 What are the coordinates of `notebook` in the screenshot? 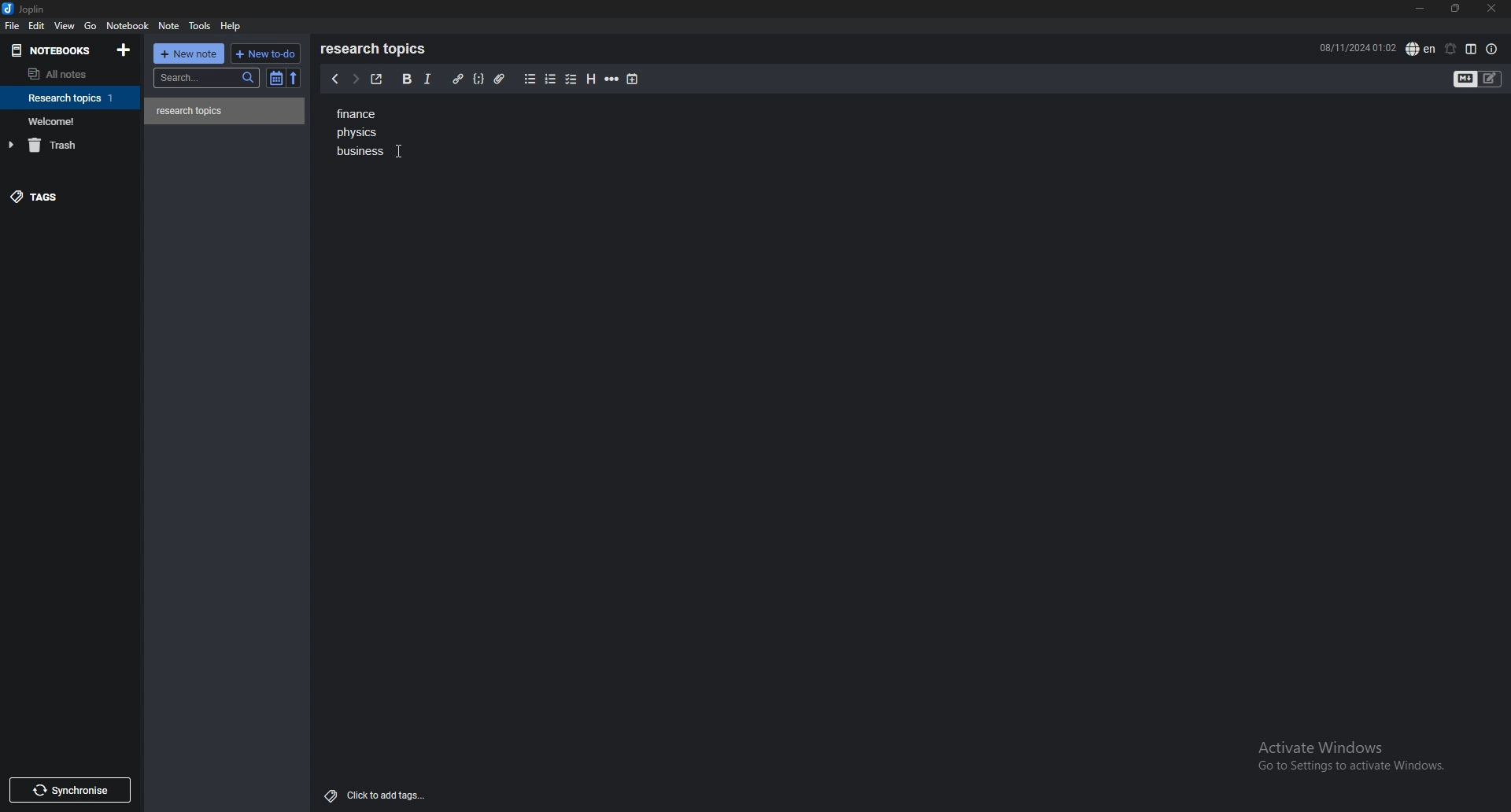 It's located at (72, 120).